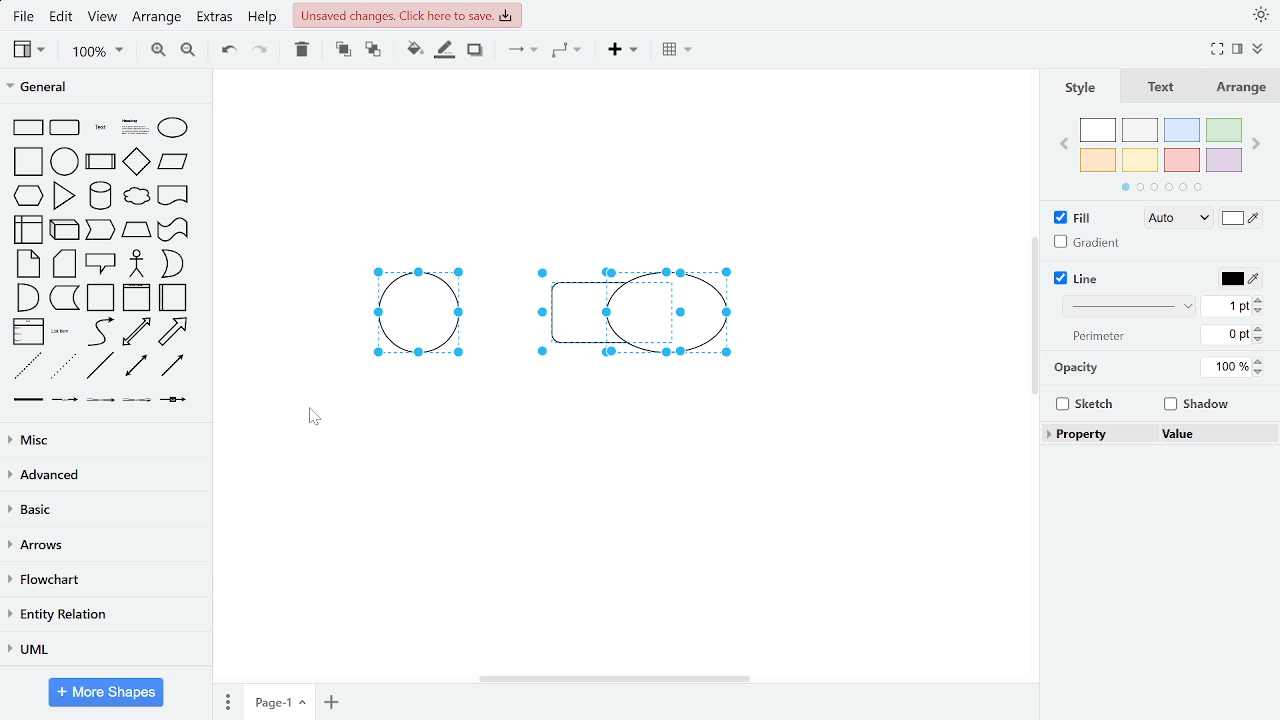 This screenshot has height=720, width=1280. What do you see at coordinates (1258, 15) in the screenshot?
I see `appearance` at bounding box center [1258, 15].